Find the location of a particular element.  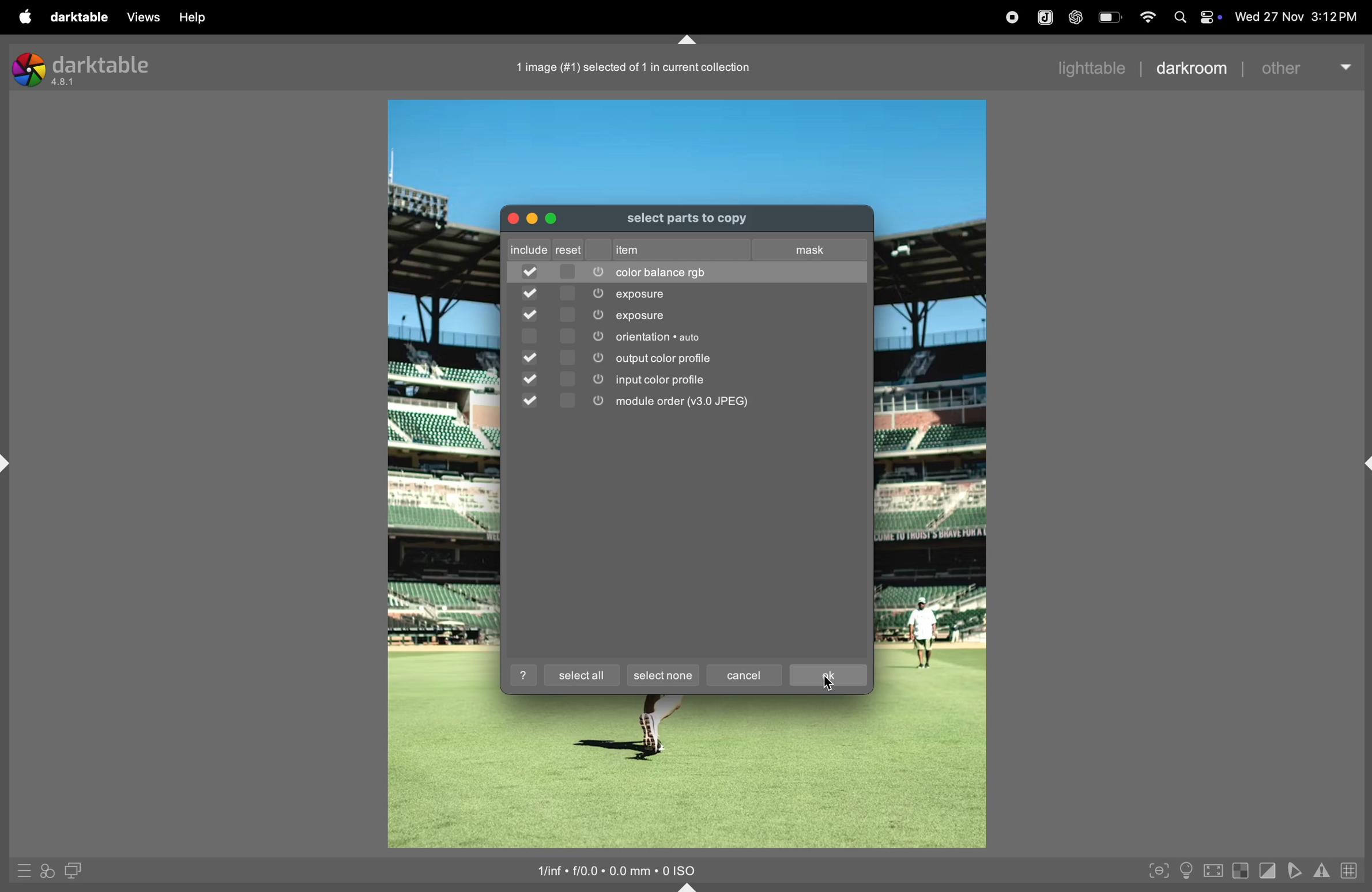

close is located at coordinates (514, 219).